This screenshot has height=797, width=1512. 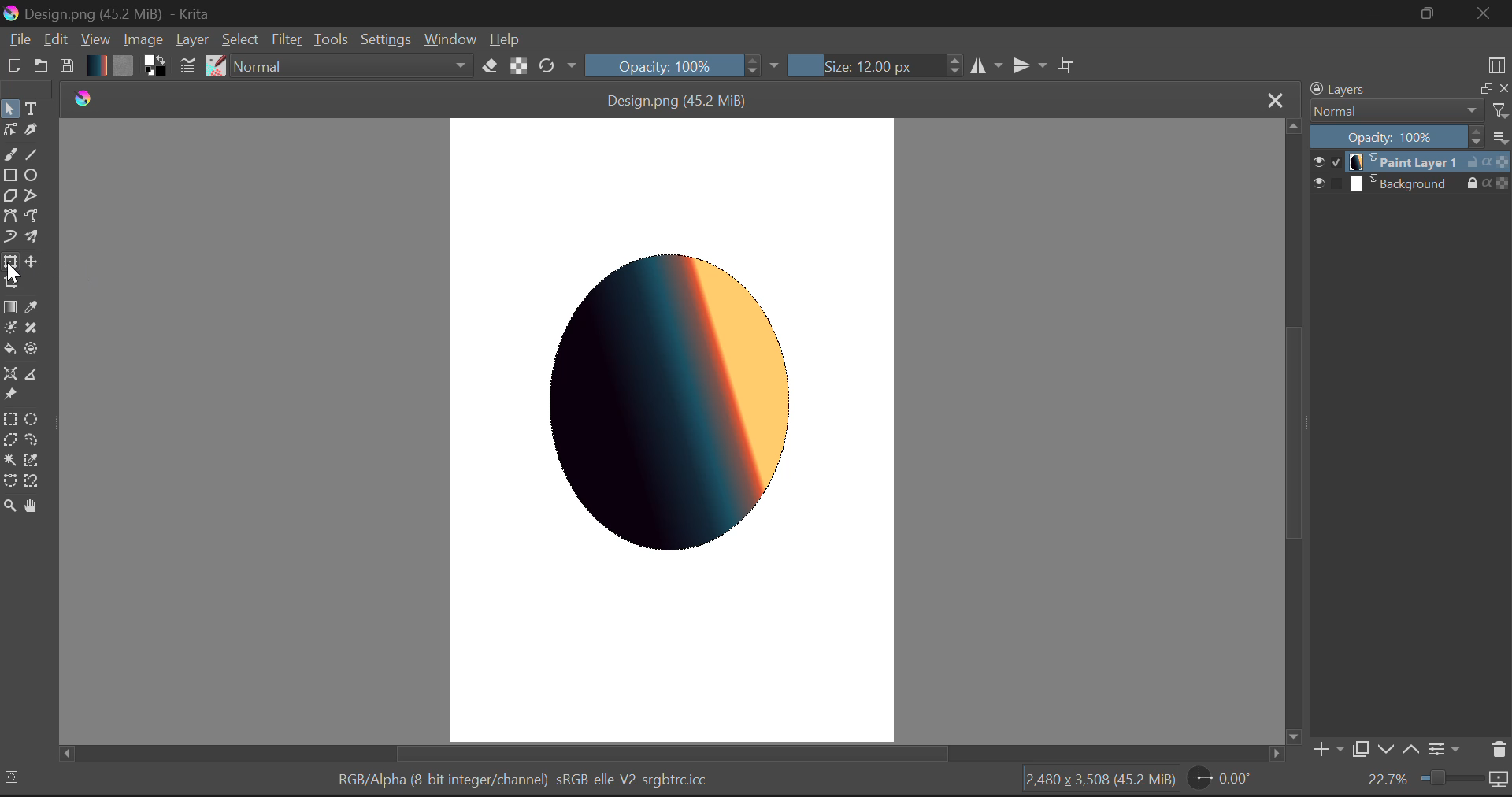 I want to click on Circular Selection, so click(x=30, y=418).